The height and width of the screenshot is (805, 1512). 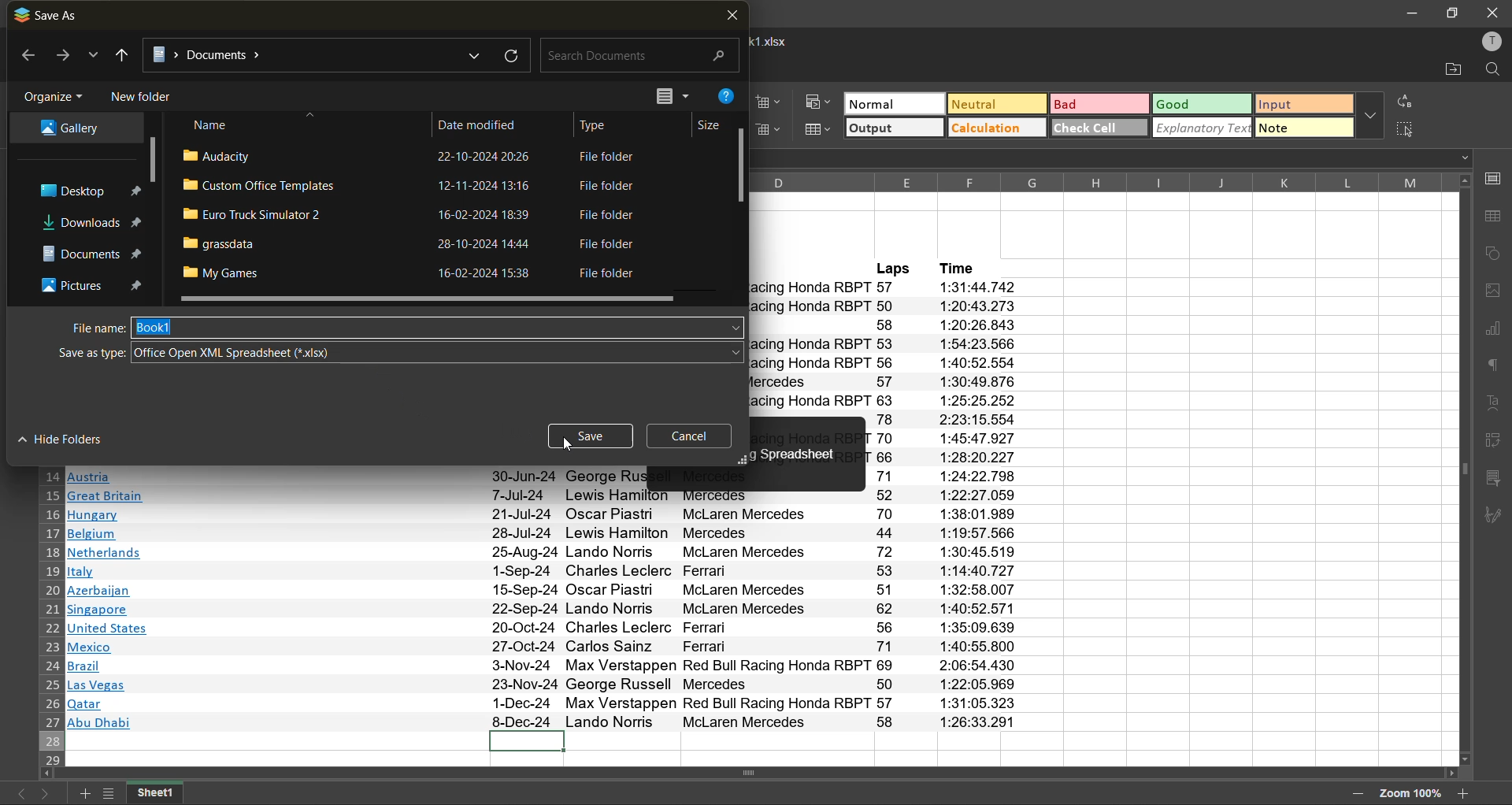 I want to click on hide folders, so click(x=62, y=439).